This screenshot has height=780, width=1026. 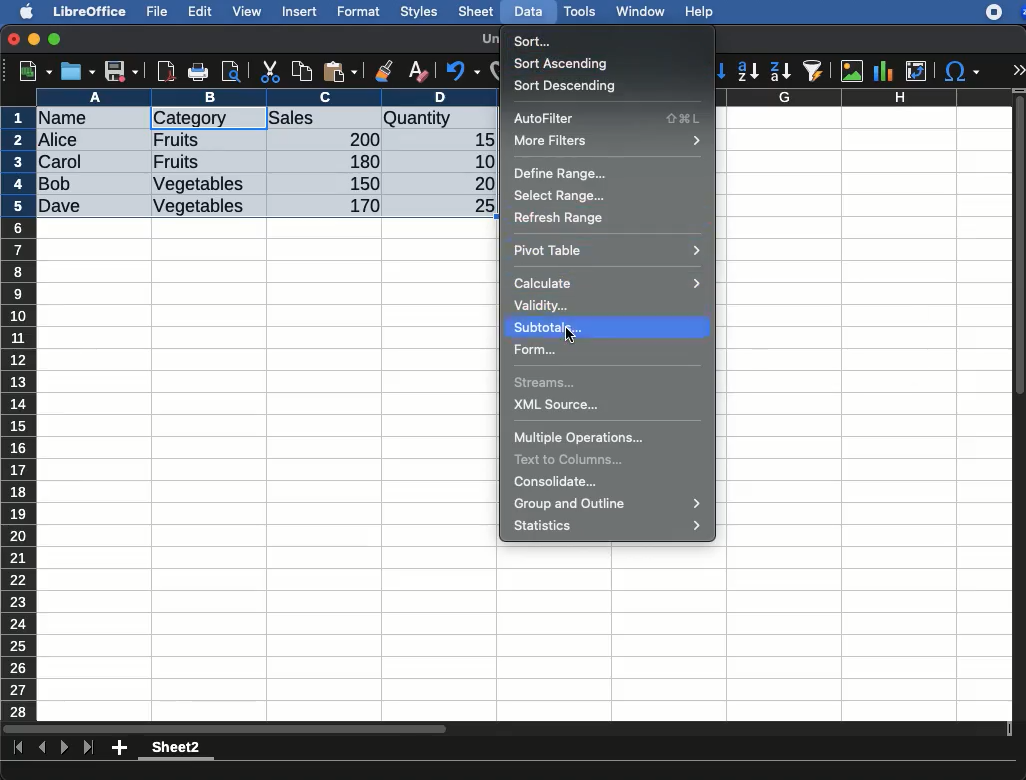 I want to click on expand, so click(x=1018, y=70).